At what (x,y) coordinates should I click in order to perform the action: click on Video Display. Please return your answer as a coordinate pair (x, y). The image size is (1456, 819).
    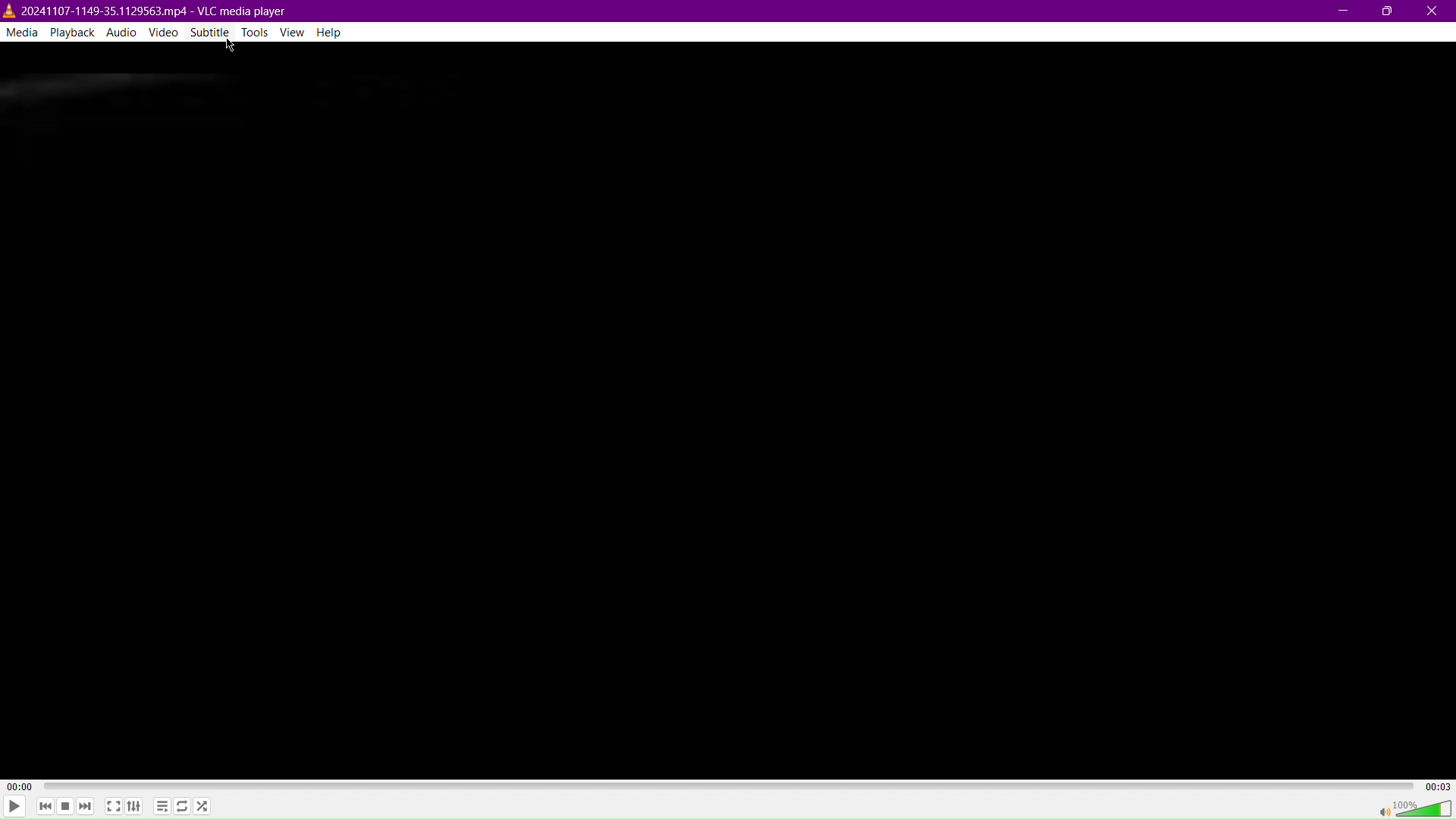
    Looking at the image, I should click on (730, 416).